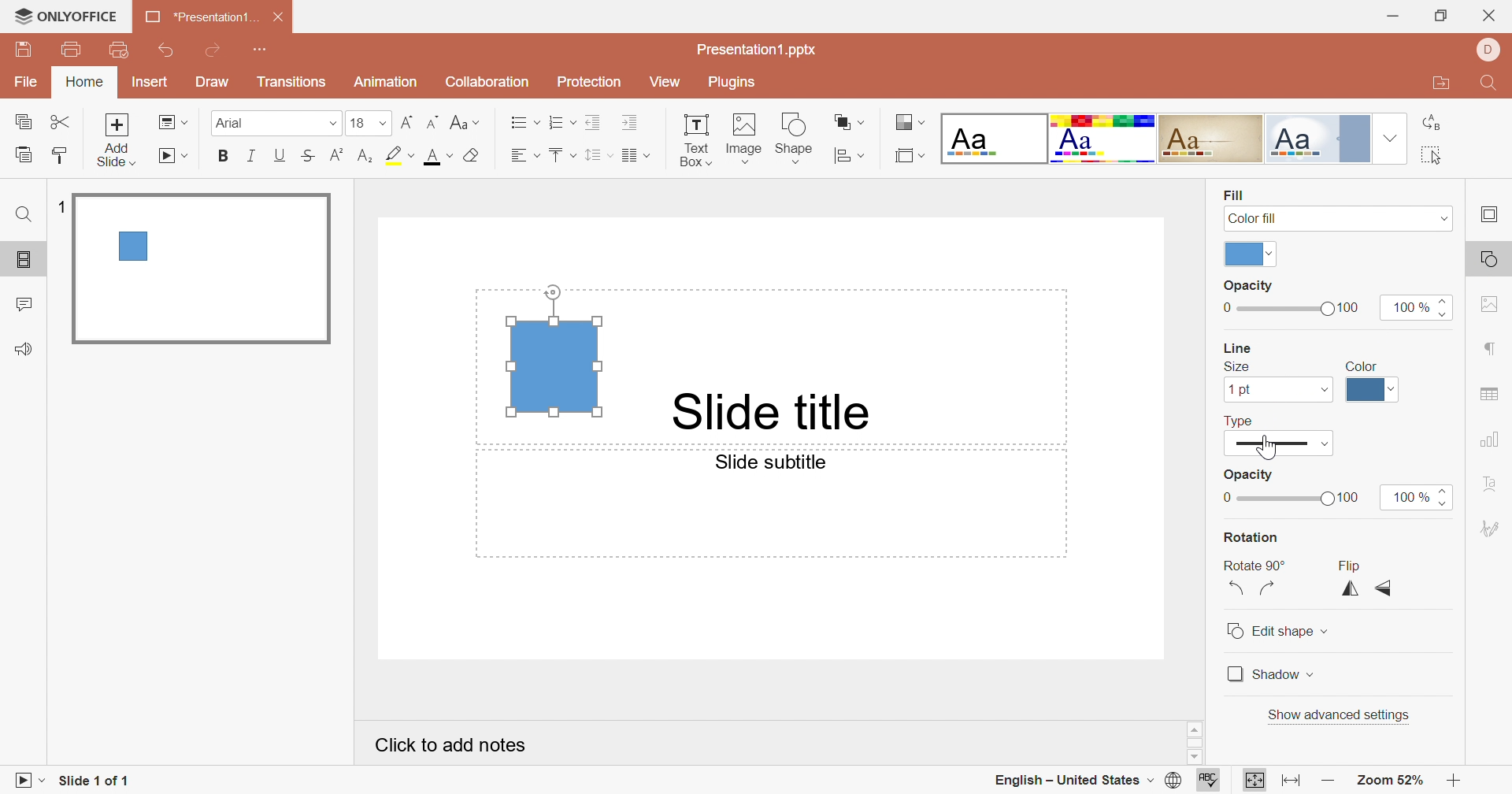 This screenshot has height=794, width=1512. I want to click on Drop Down, so click(1273, 254).